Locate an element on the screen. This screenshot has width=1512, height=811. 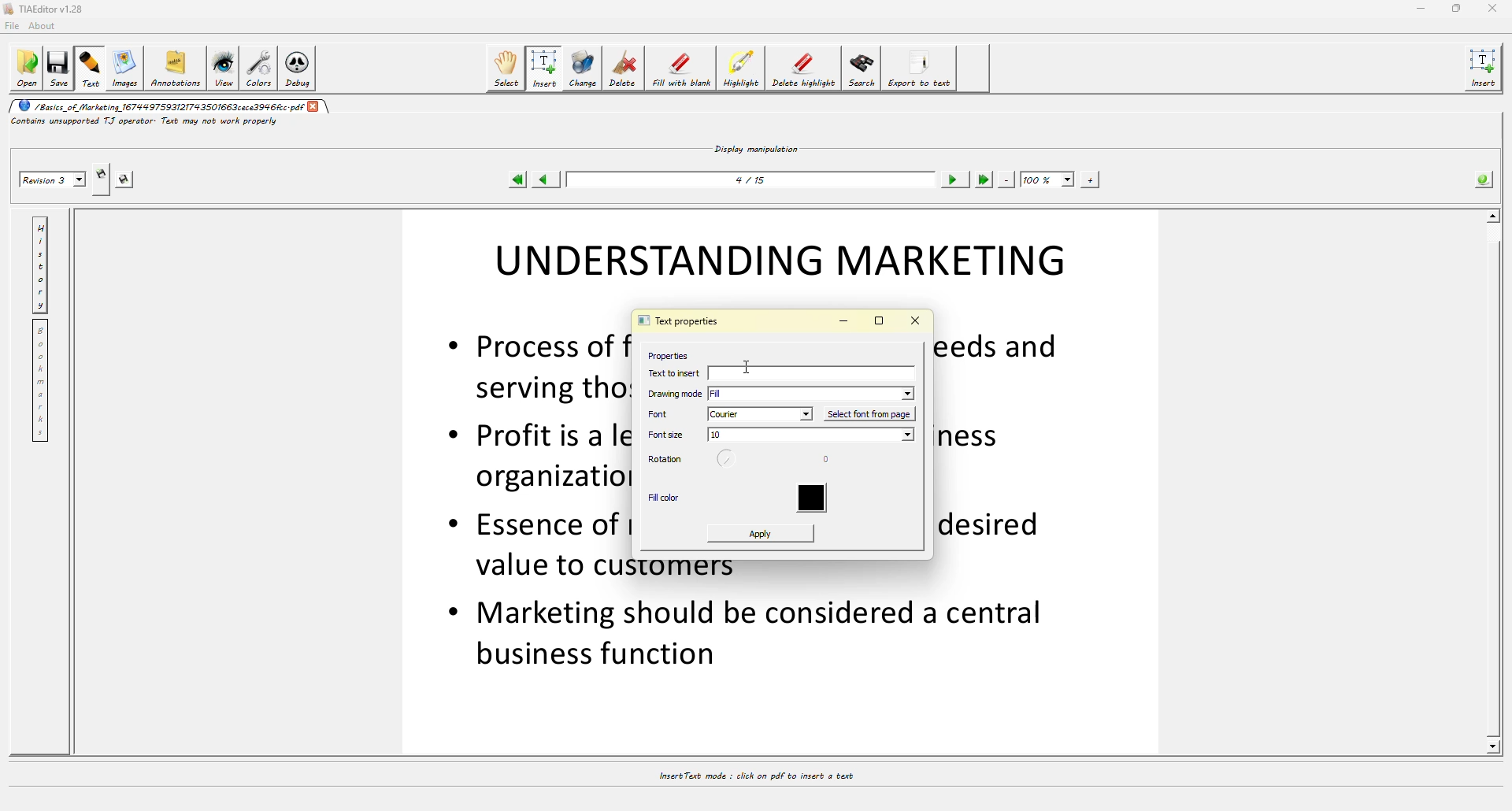
text to insert is located at coordinates (806, 375).